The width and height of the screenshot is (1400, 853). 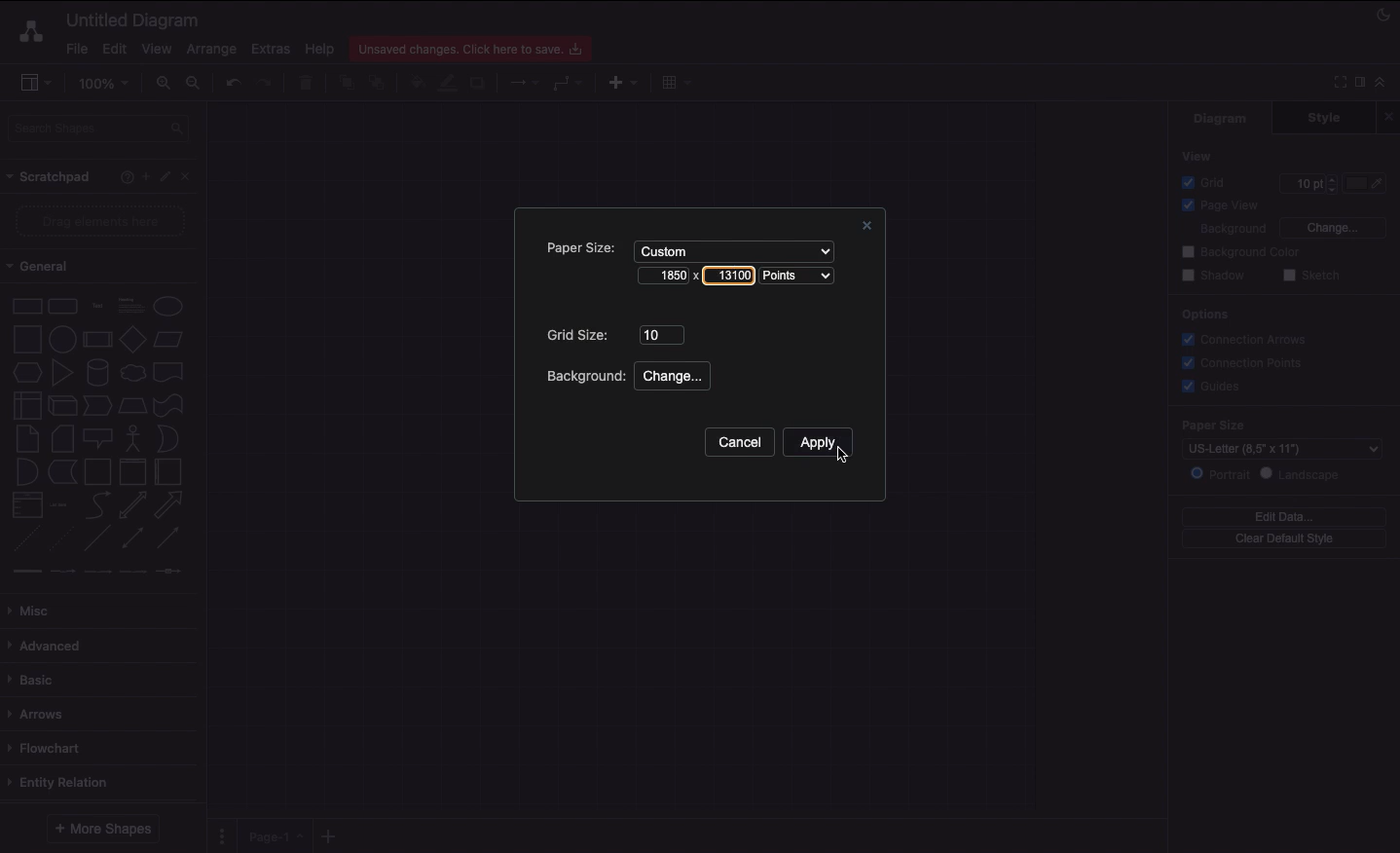 I want to click on Edit data, so click(x=1284, y=516).